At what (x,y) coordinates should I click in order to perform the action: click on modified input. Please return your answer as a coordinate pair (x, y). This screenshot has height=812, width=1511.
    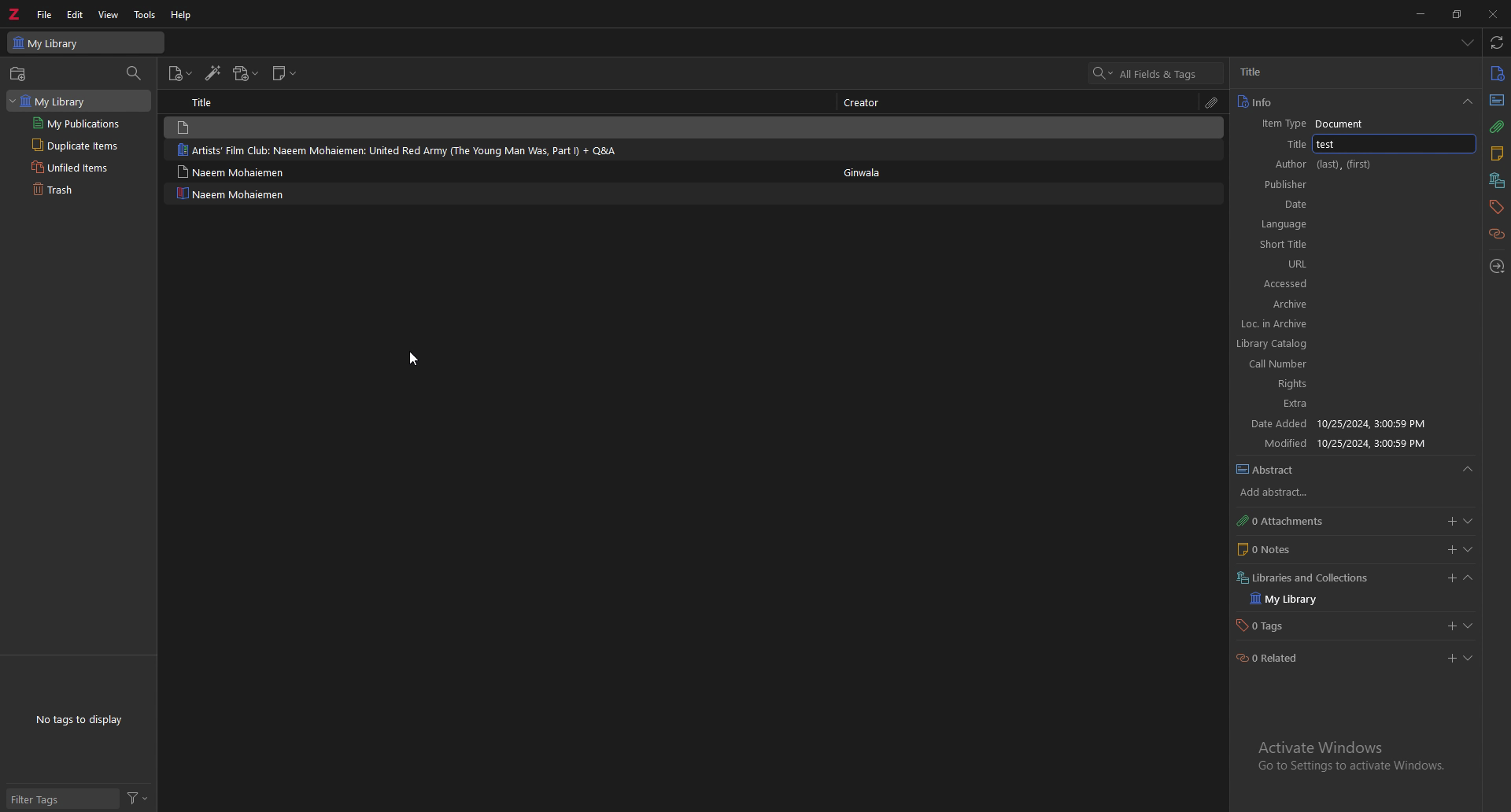
    Looking at the image, I should click on (1402, 623).